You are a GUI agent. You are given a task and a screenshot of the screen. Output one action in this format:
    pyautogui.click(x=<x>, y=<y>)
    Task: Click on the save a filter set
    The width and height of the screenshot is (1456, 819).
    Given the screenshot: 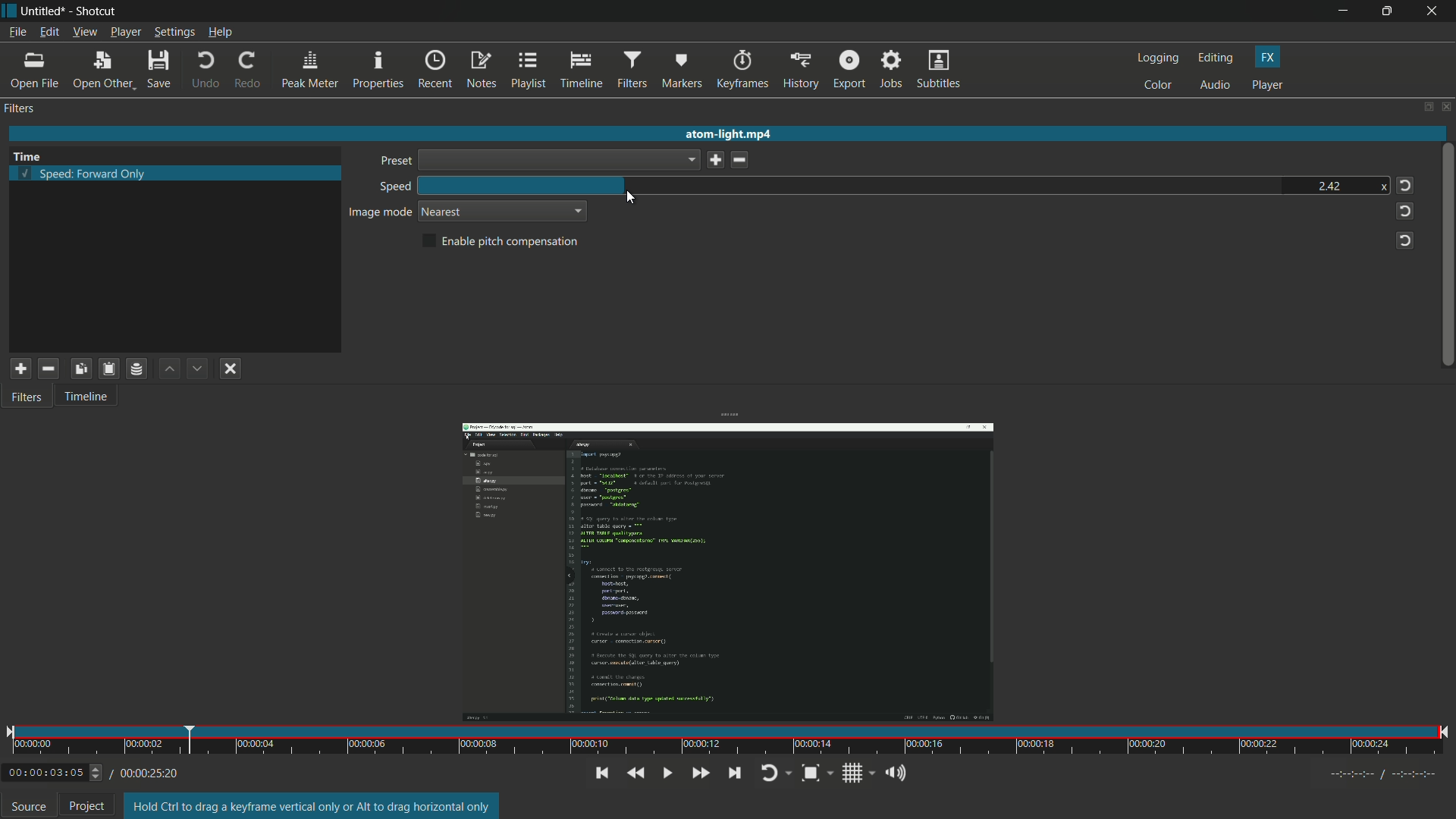 What is the action you would take?
    pyautogui.click(x=135, y=369)
    